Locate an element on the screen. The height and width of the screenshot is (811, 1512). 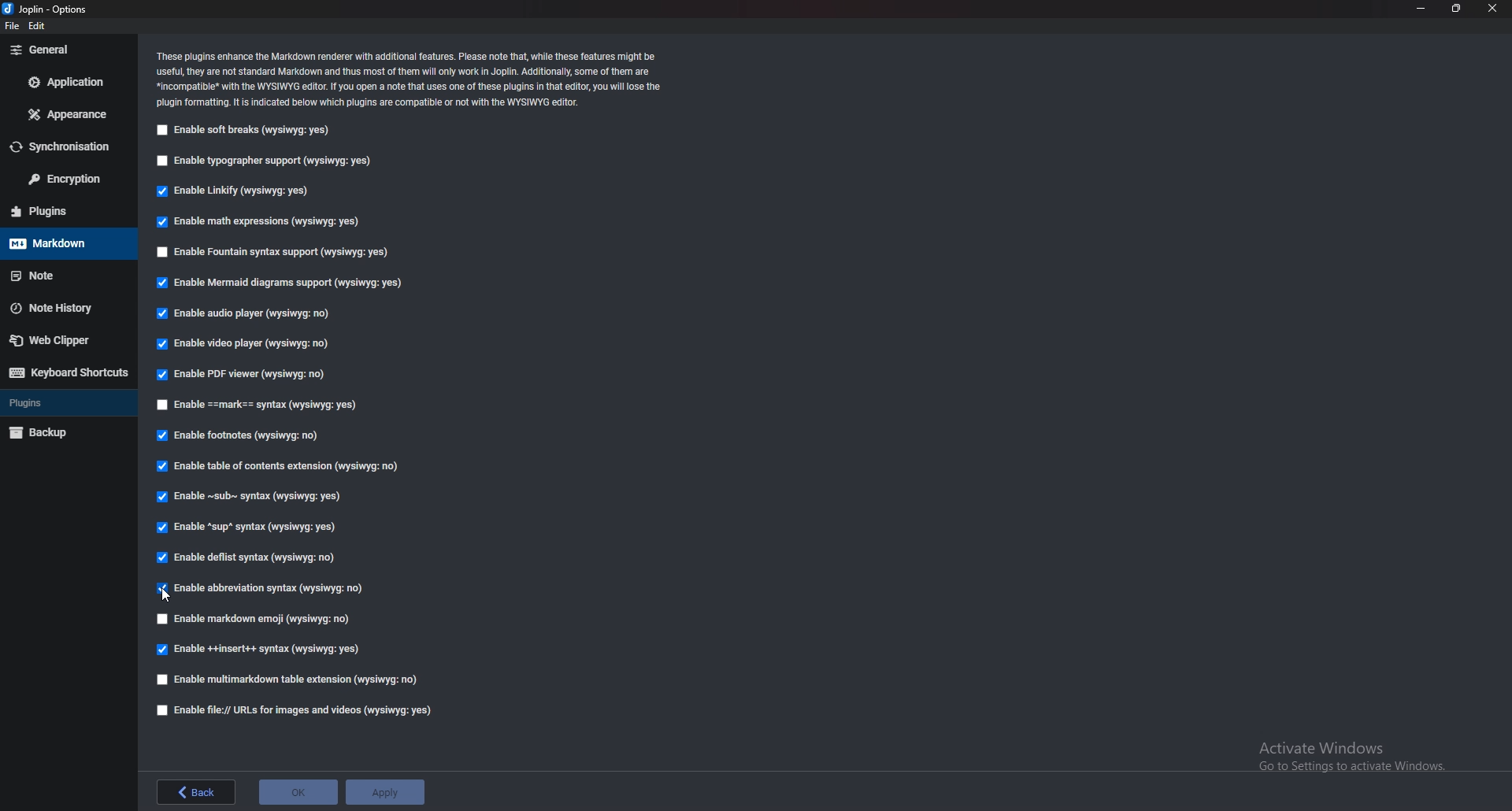
file is located at coordinates (11, 25).